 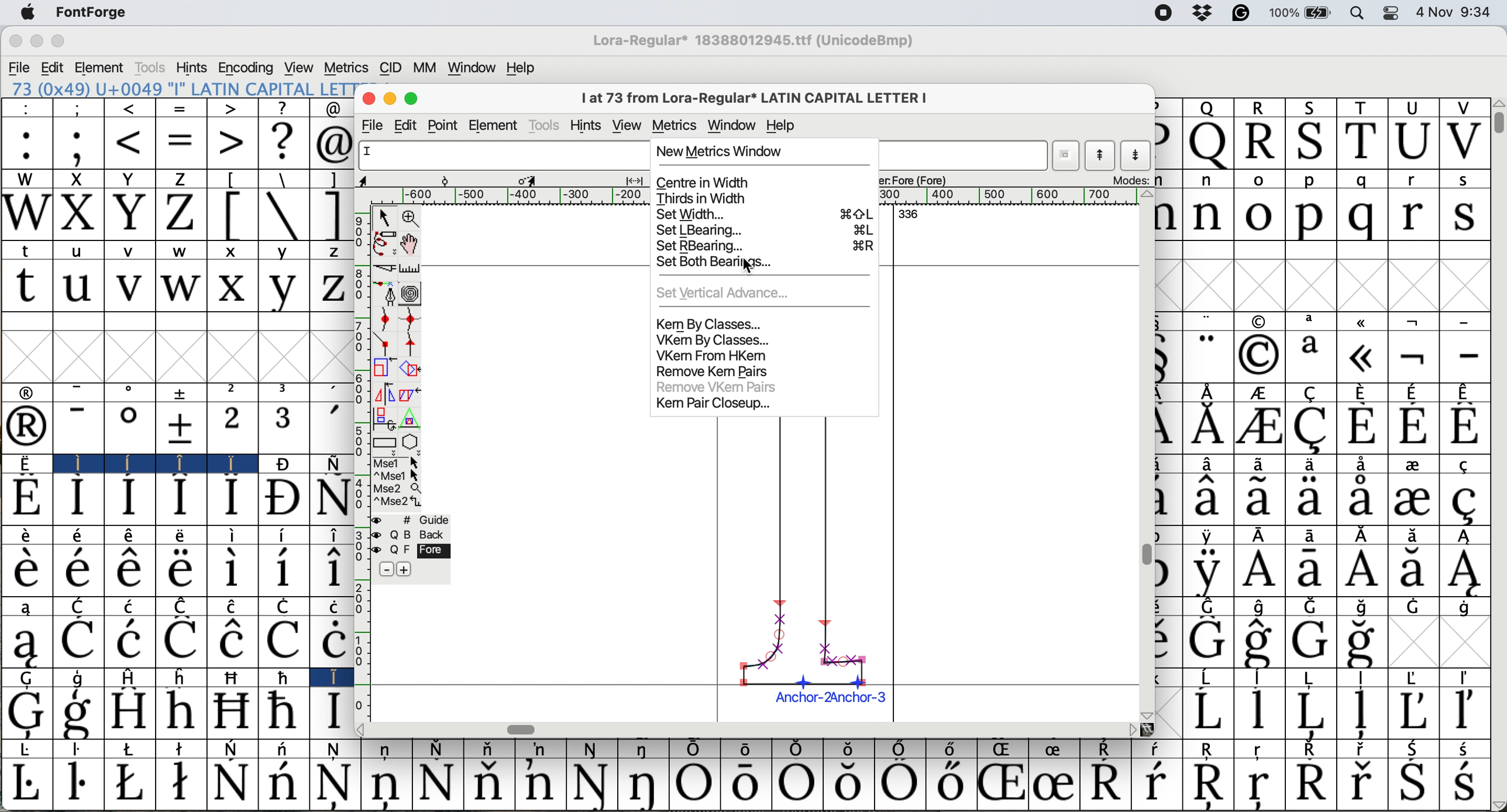 What do you see at coordinates (332, 215) in the screenshot?
I see `]` at bounding box center [332, 215].